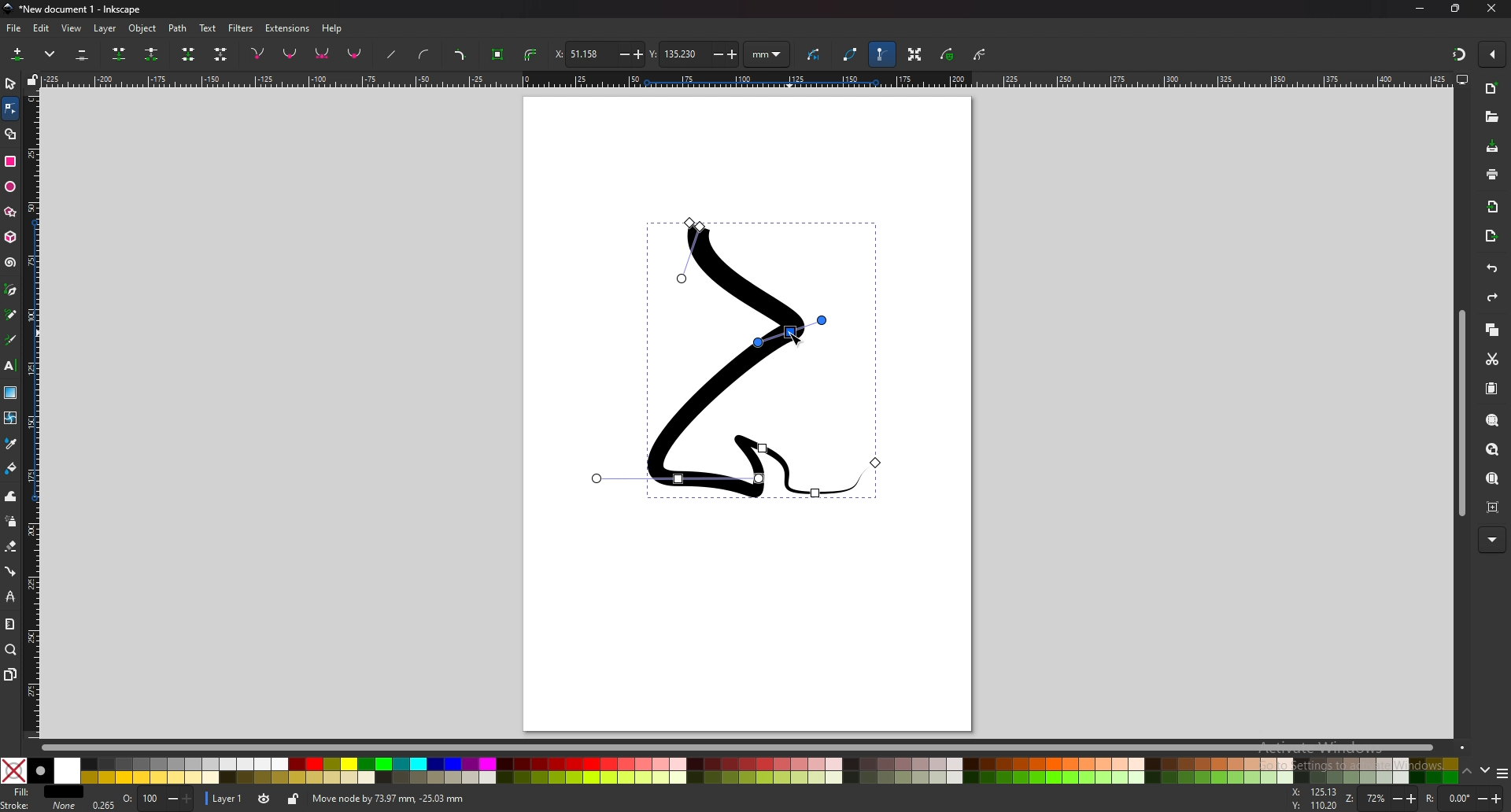 The height and width of the screenshot is (812, 1511). Describe the element at coordinates (259, 53) in the screenshot. I see `corner` at that location.